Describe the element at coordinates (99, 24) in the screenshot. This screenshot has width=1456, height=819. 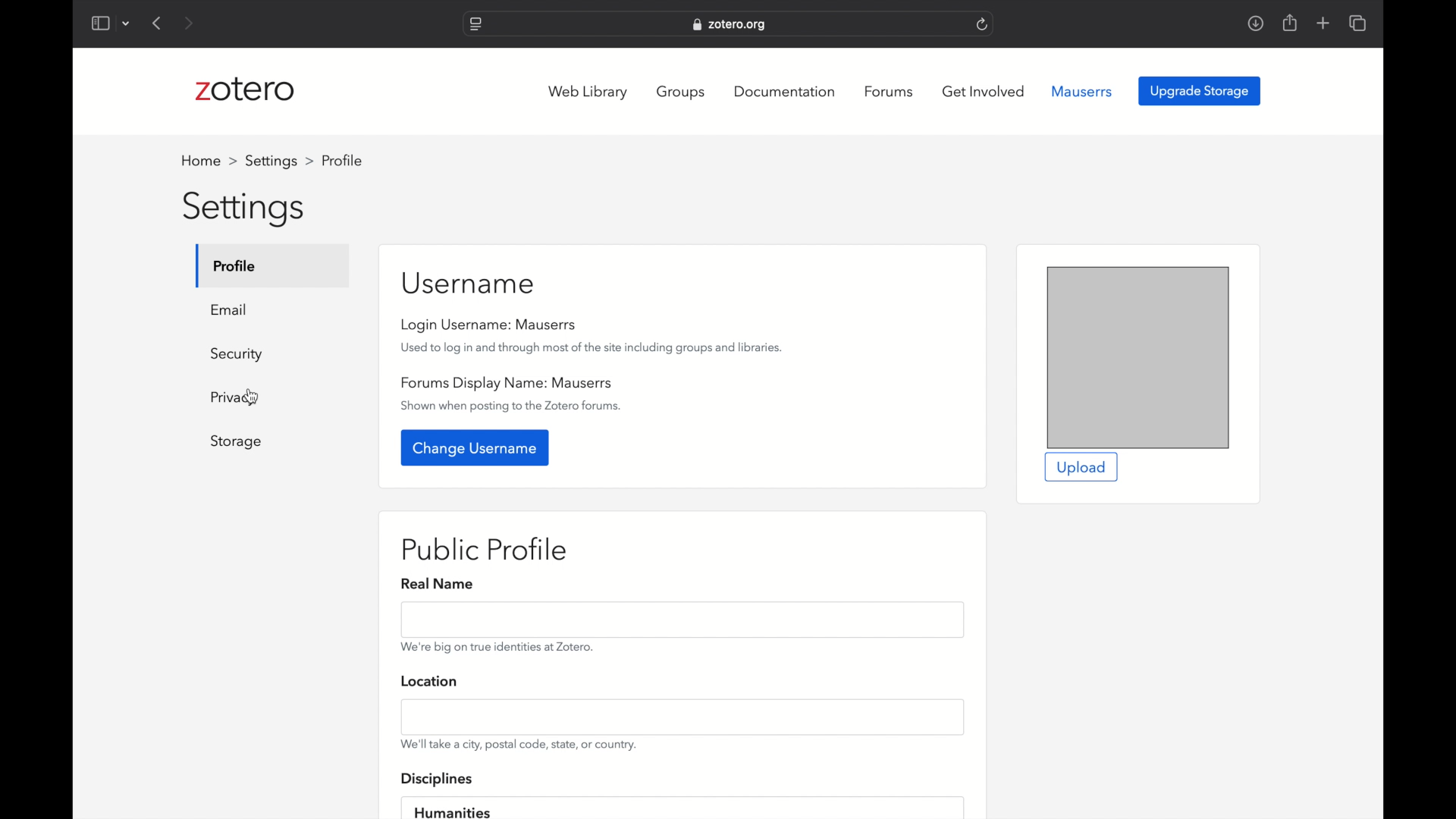
I see `show sidebar` at that location.